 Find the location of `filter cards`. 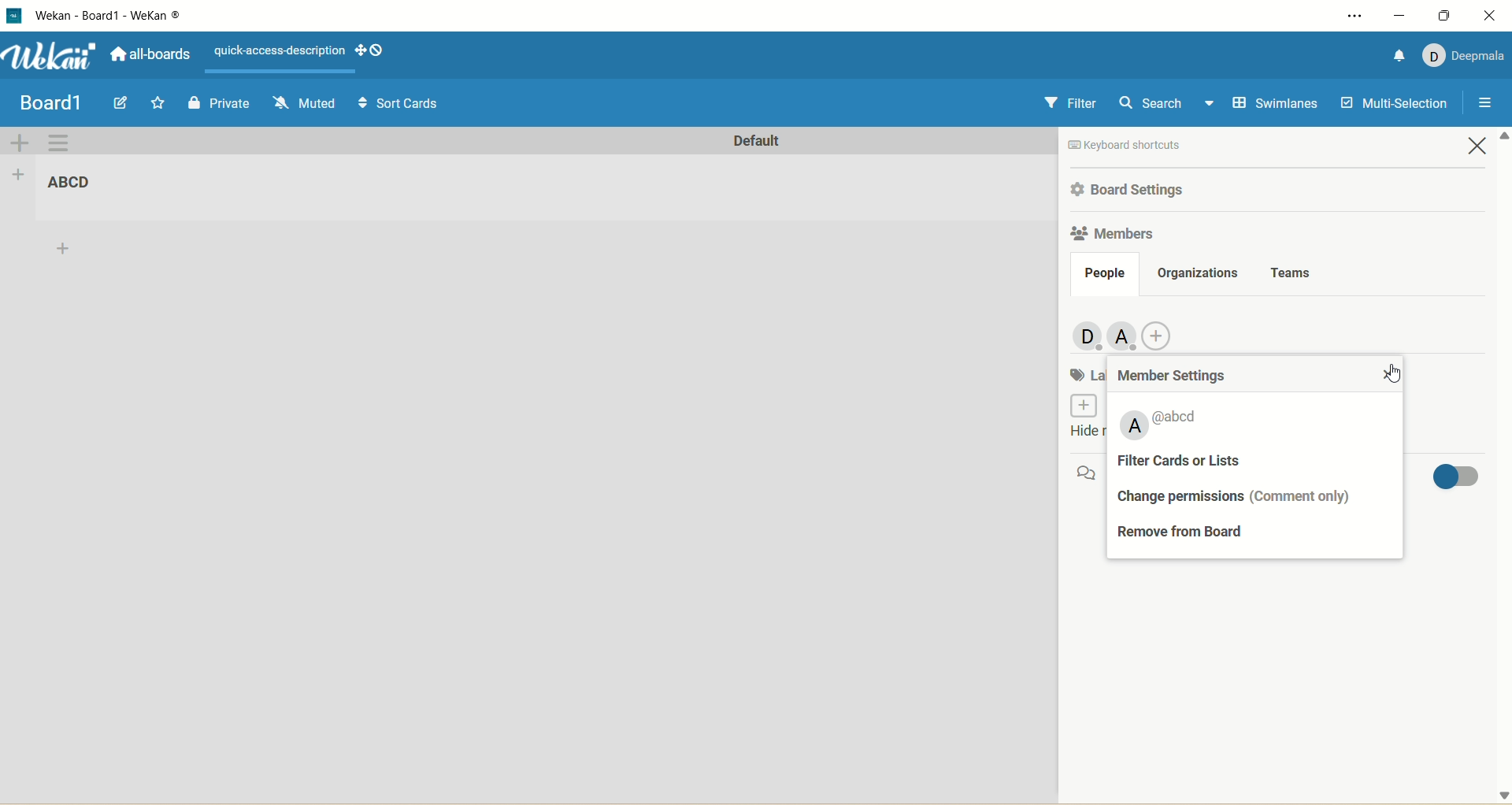

filter cards is located at coordinates (1228, 462).